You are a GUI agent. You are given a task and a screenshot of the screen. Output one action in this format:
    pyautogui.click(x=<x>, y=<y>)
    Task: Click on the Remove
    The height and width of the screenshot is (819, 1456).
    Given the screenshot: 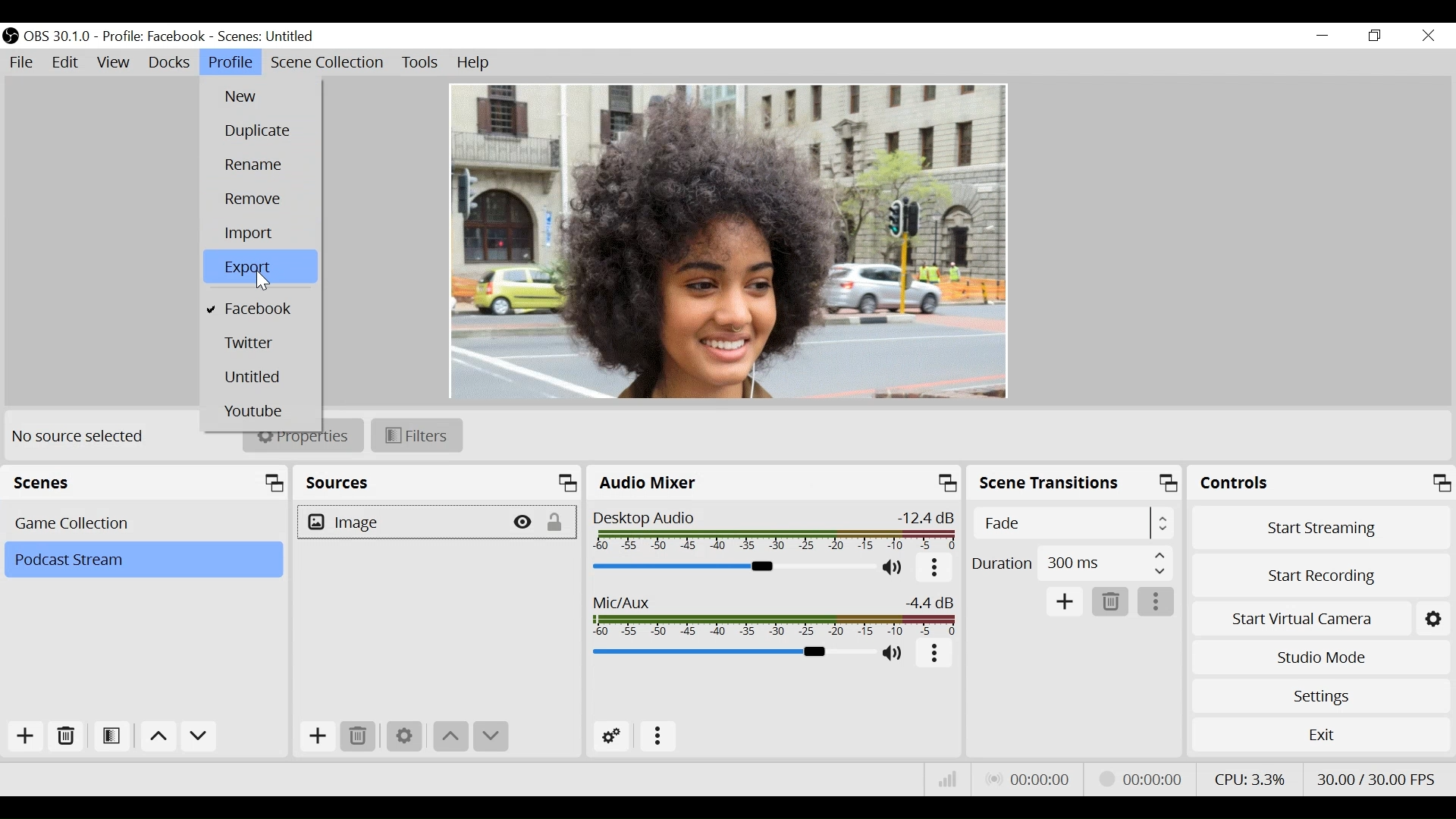 What is the action you would take?
    pyautogui.click(x=256, y=199)
    